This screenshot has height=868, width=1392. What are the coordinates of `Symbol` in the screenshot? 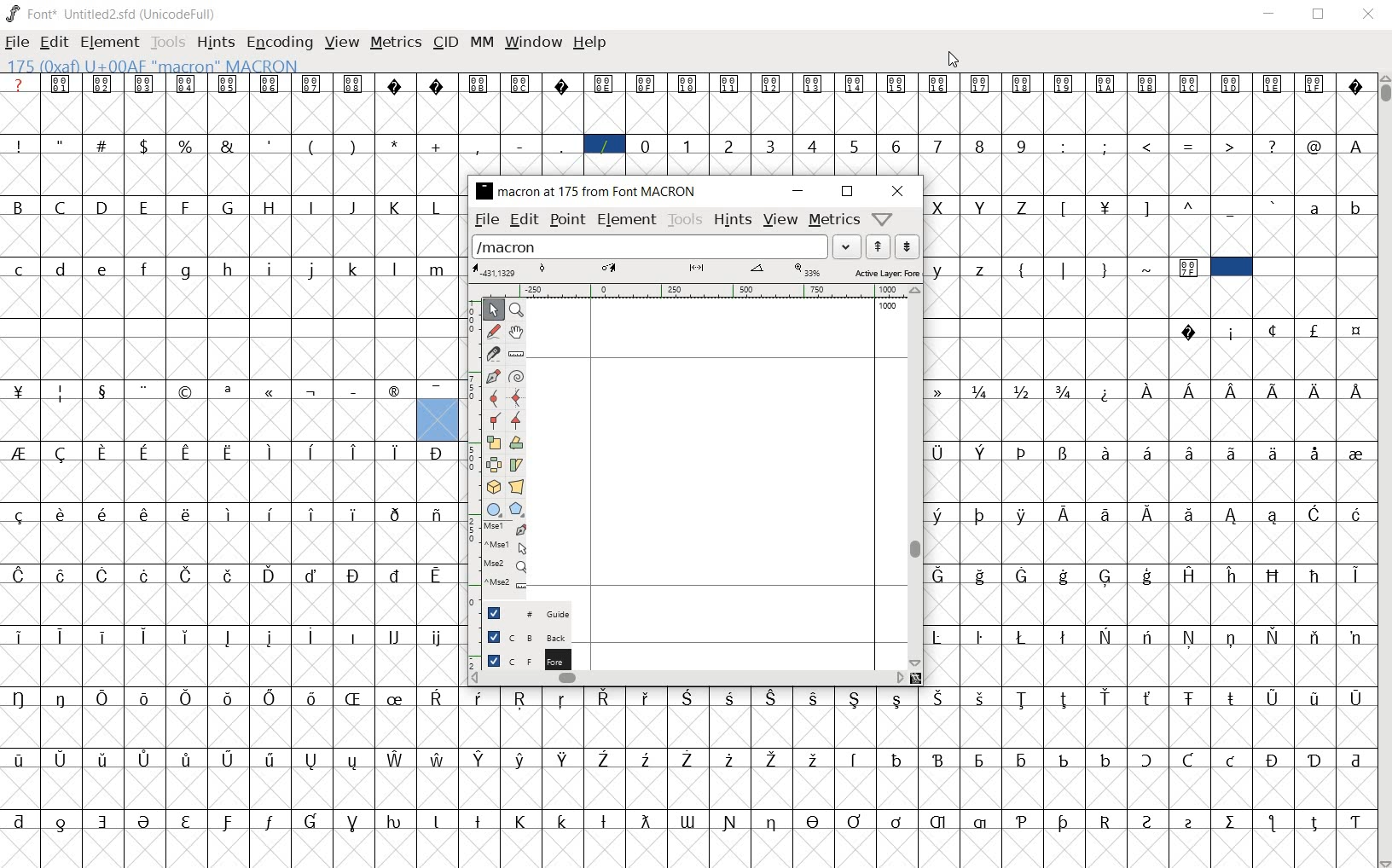 It's located at (438, 512).